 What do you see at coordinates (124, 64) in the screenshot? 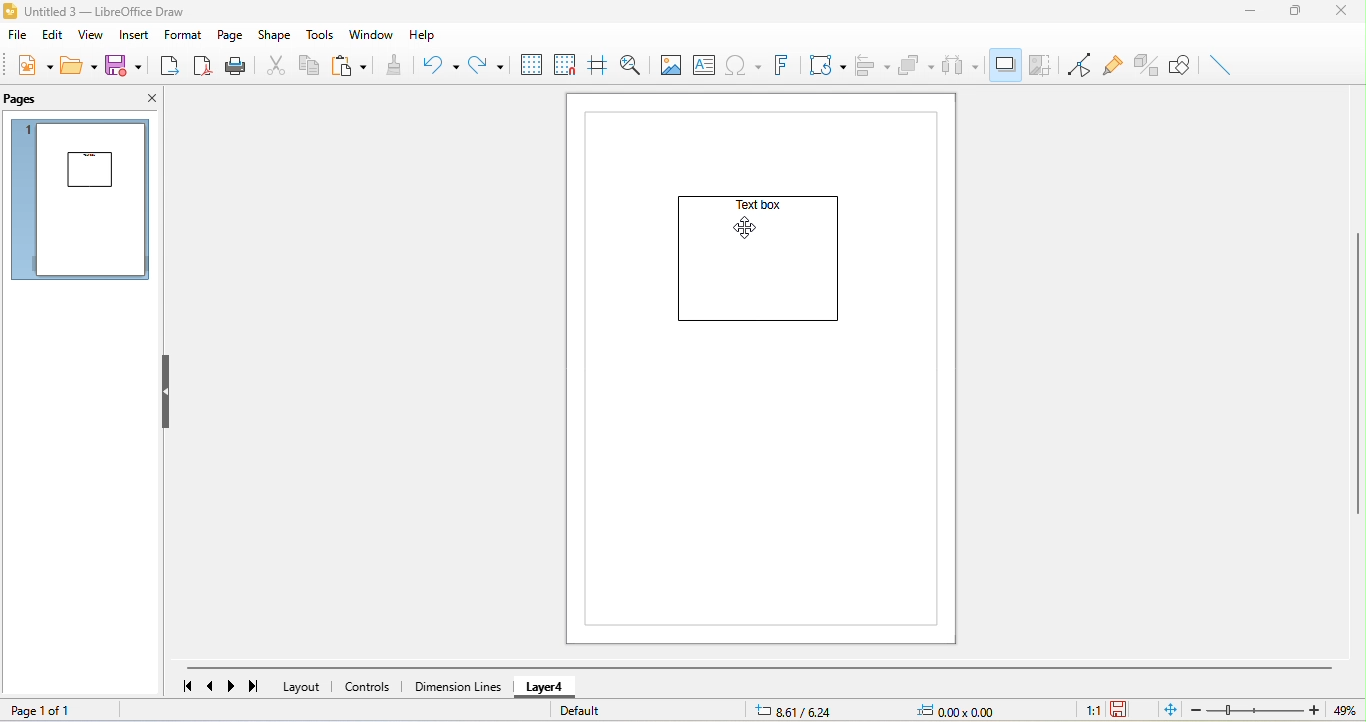
I see `save` at bounding box center [124, 64].